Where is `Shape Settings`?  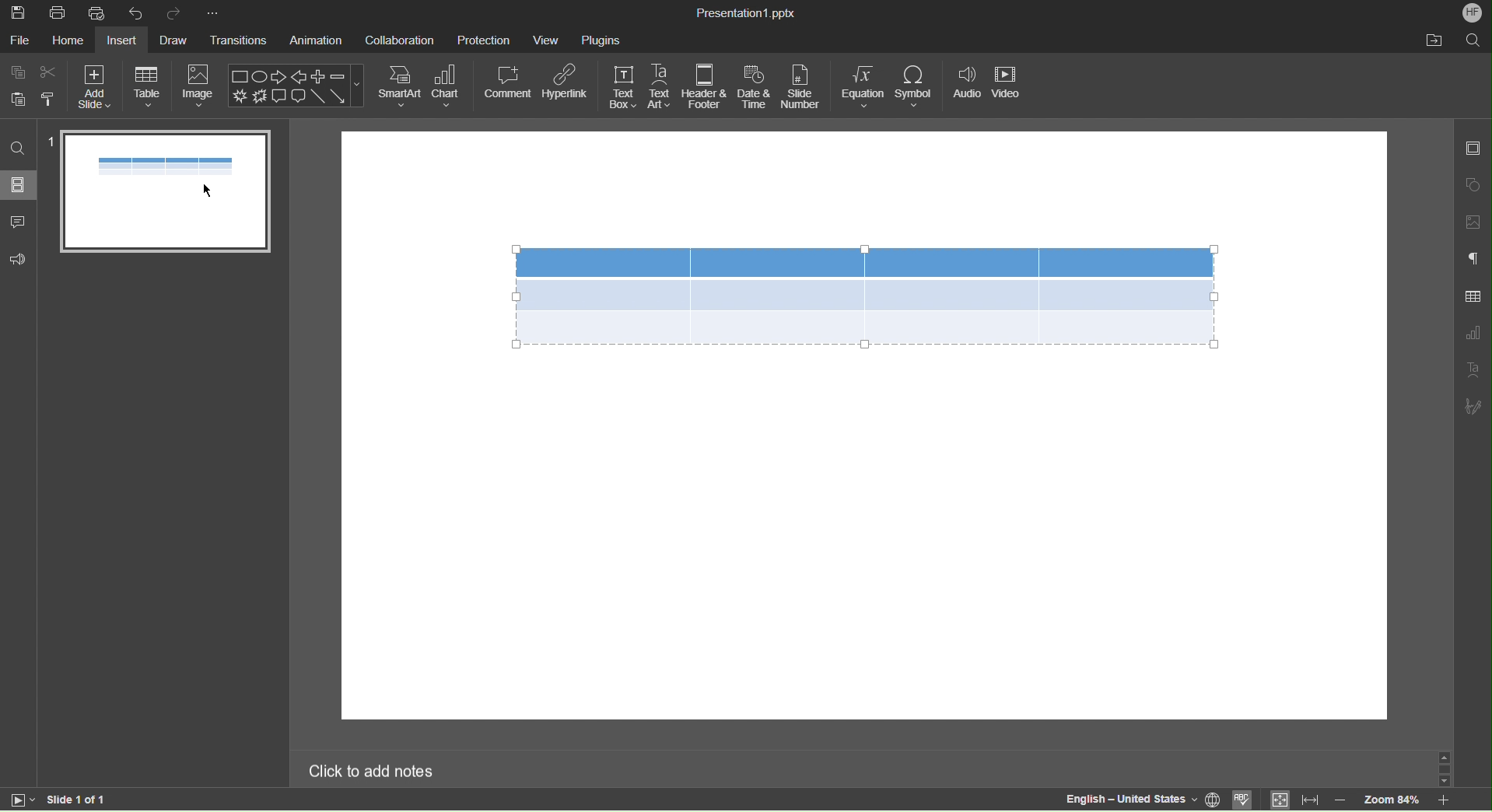
Shape Settings is located at coordinates (1473, 181).